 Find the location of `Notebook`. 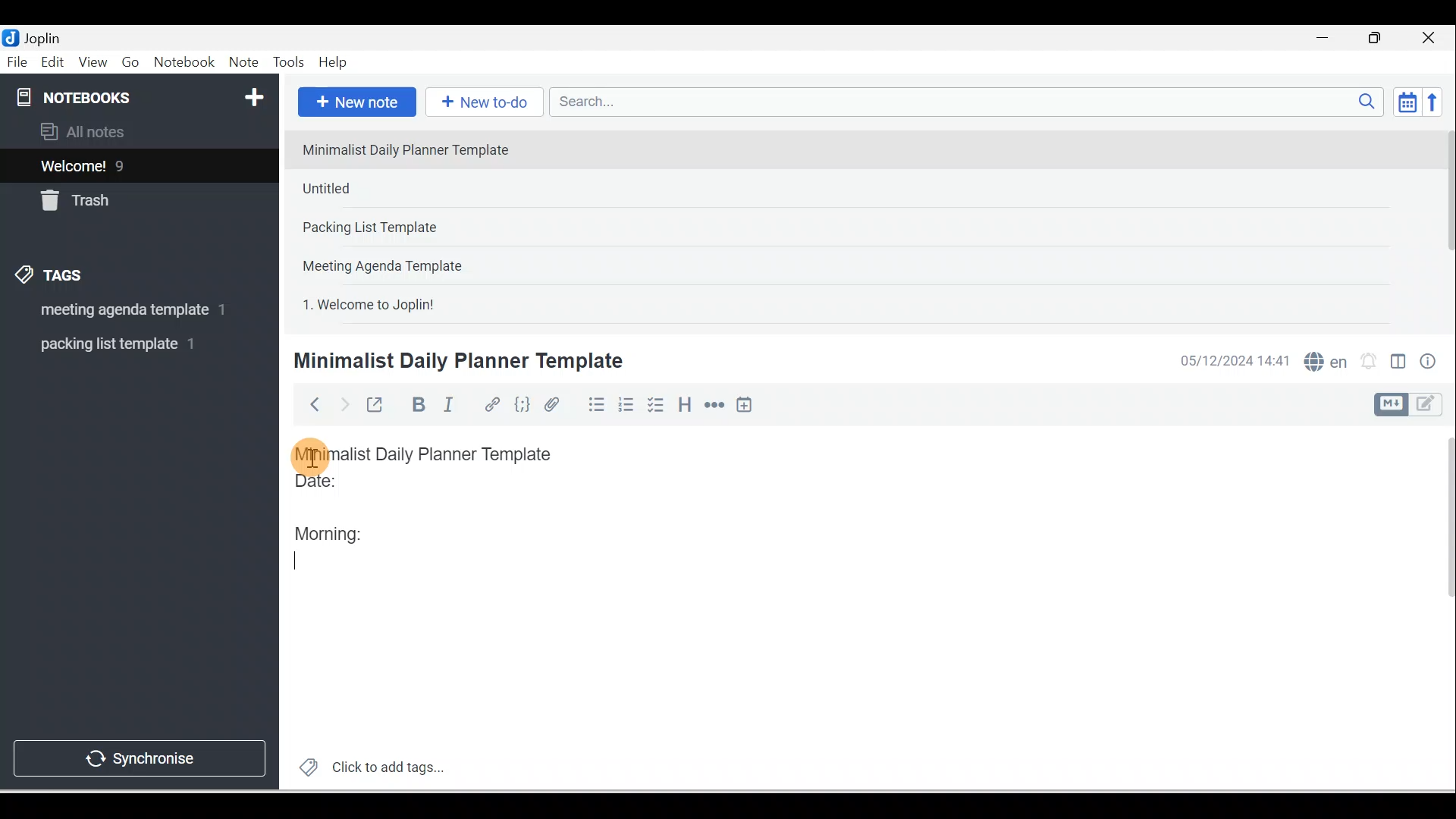

Notebook is located at coordinates (184, 63).